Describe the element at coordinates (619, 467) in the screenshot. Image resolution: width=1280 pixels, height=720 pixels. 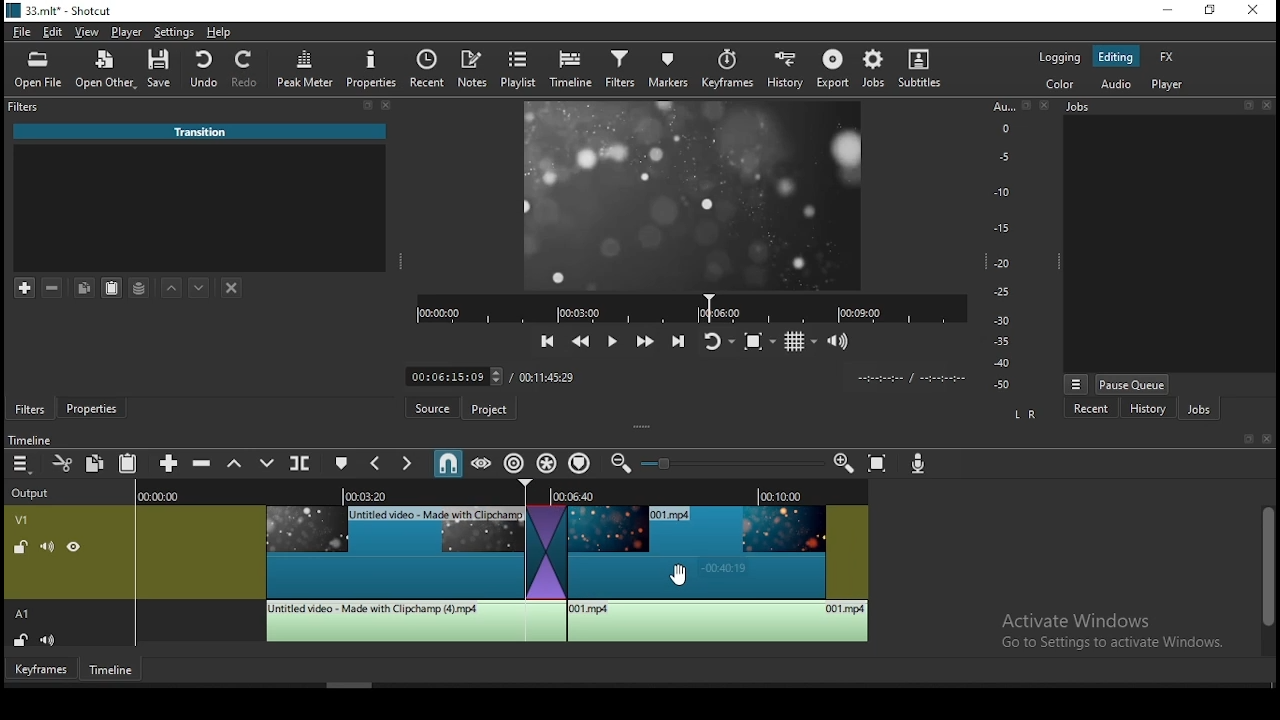
I see `zoom timeline out` at that location.